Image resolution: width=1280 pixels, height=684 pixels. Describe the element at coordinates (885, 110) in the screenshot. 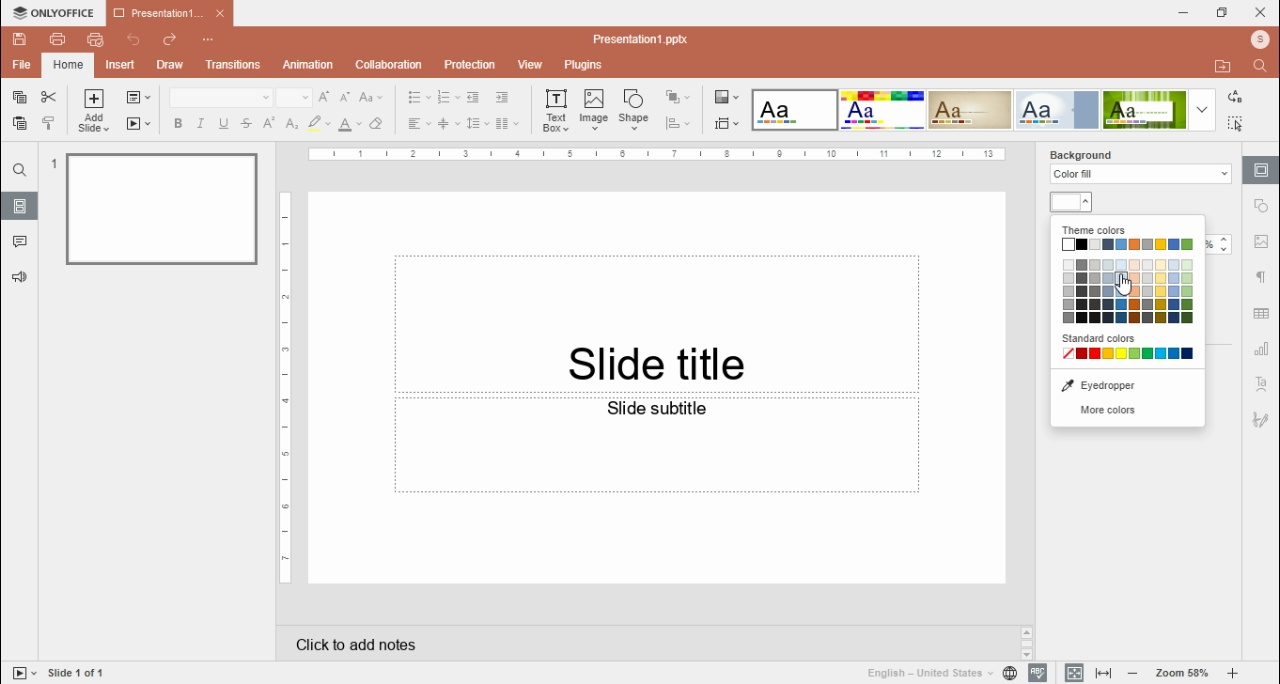

I see `theme 2` at that location.